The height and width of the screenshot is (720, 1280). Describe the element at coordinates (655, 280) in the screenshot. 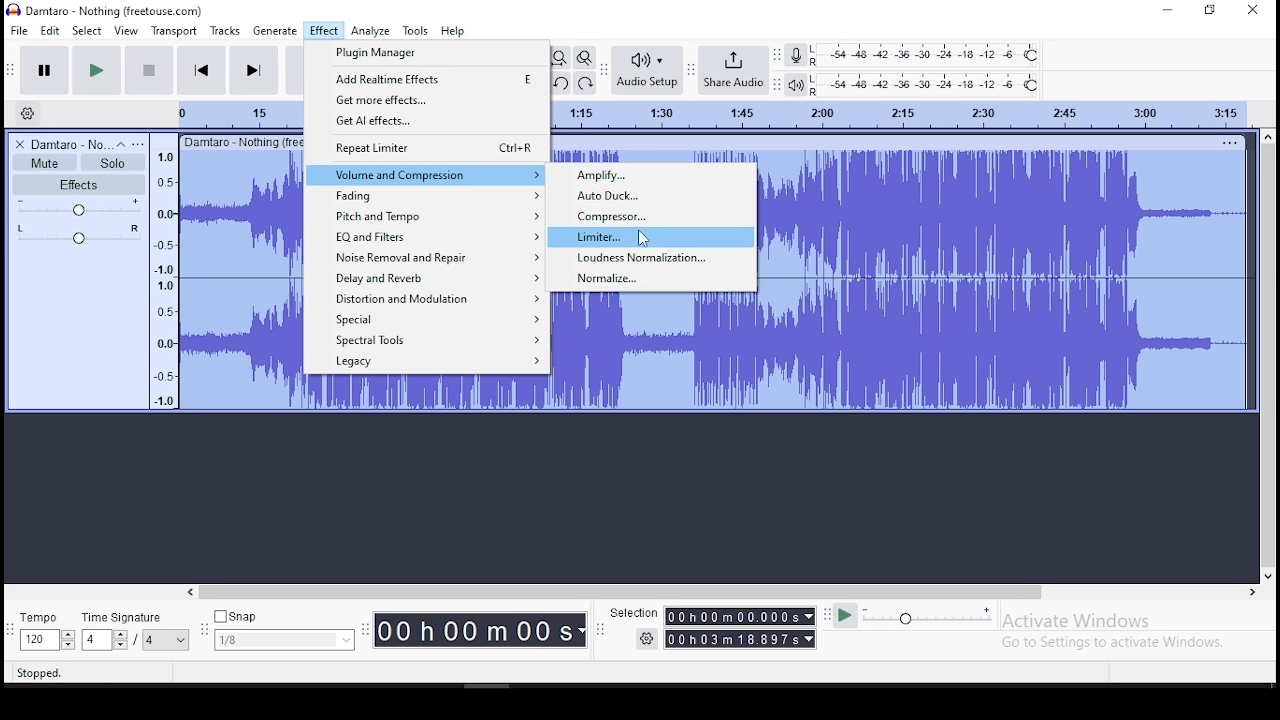

I see `normalize` at that location.